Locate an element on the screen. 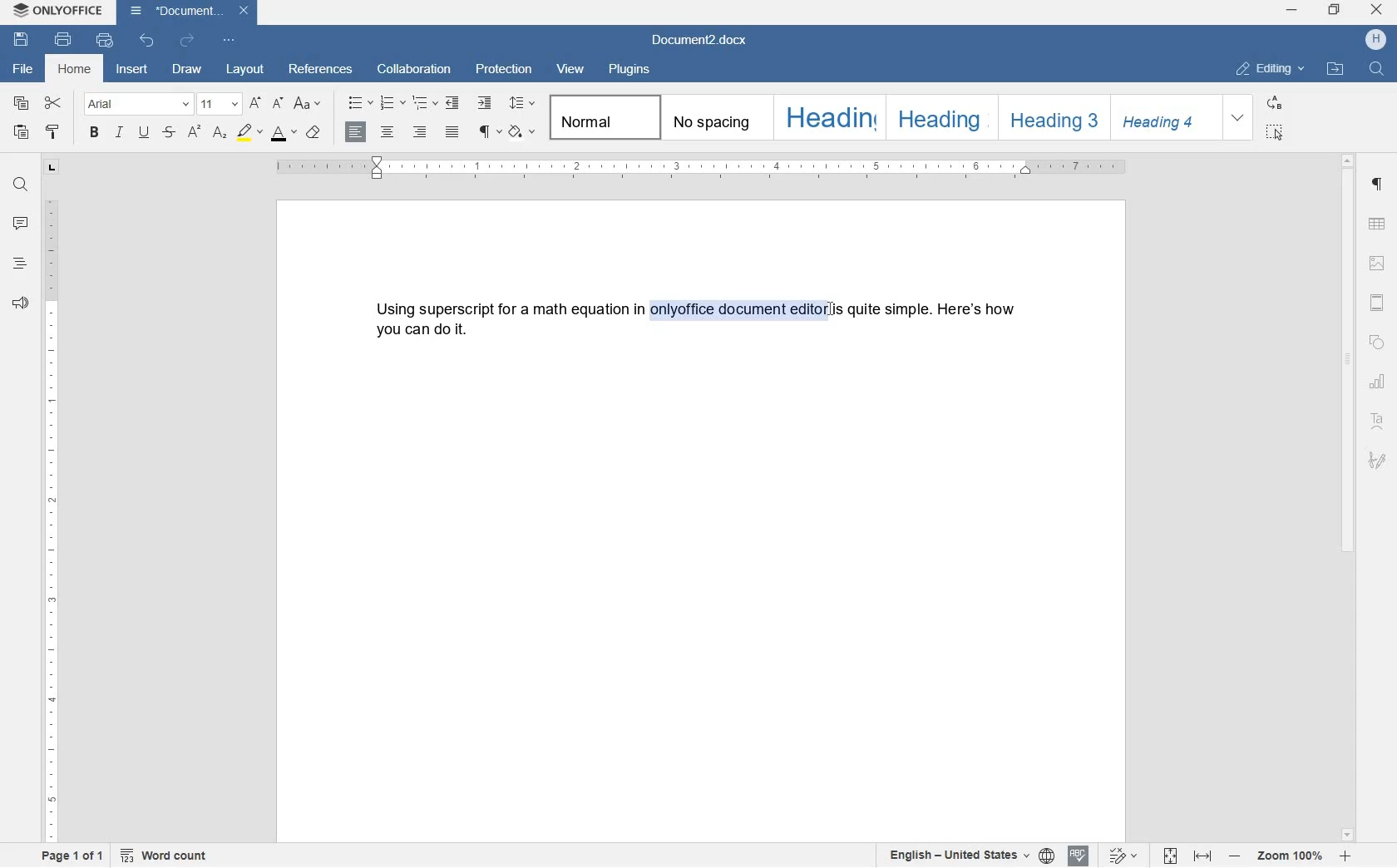 Image resolution: width=1397 pixels, height=868 pixels. italic is located at coordinates (120, 135).